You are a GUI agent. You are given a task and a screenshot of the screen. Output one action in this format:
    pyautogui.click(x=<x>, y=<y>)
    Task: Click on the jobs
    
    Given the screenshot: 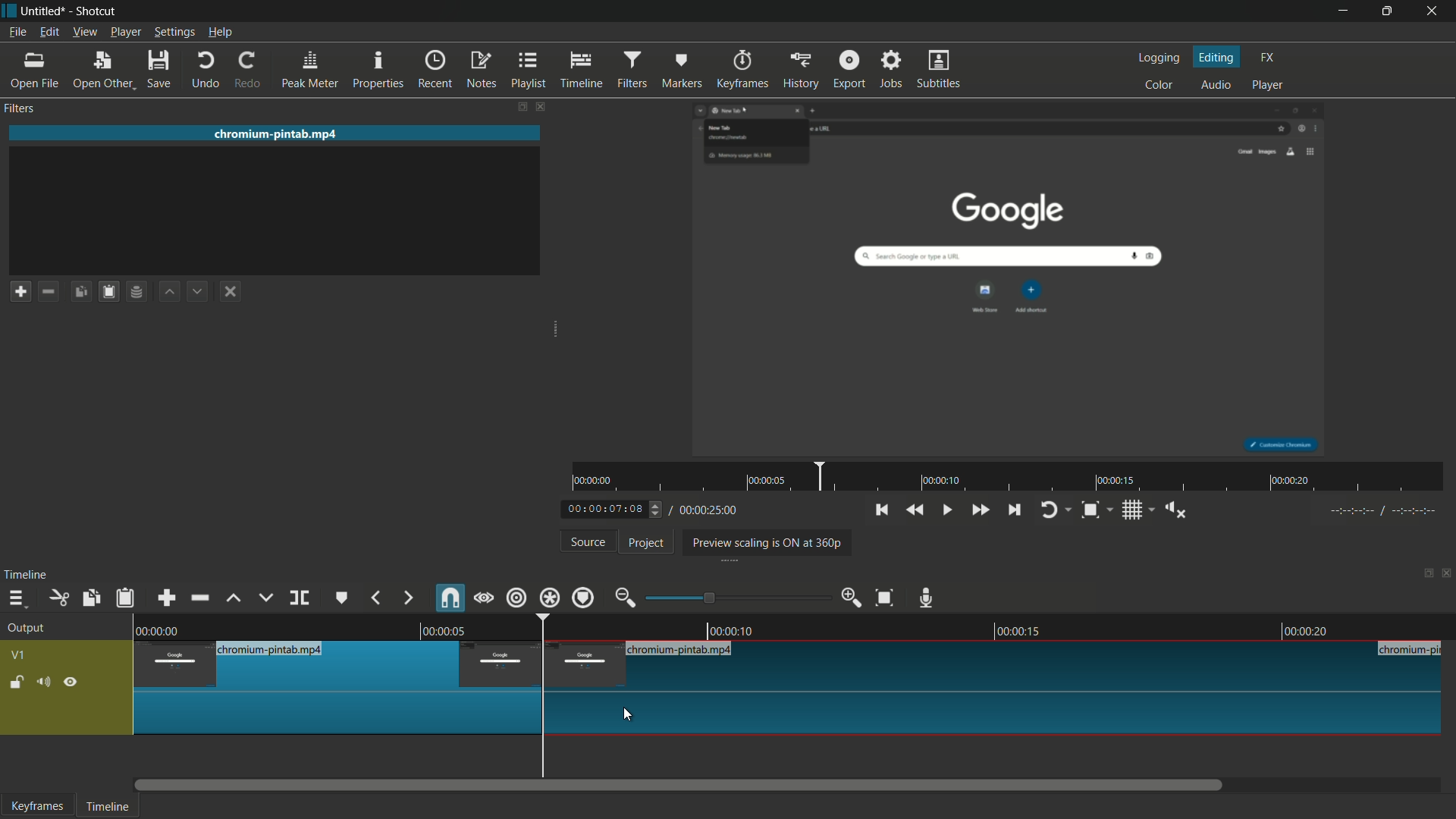 What is the action you would take?
    pyautogui.click(x=890, y=69)
    